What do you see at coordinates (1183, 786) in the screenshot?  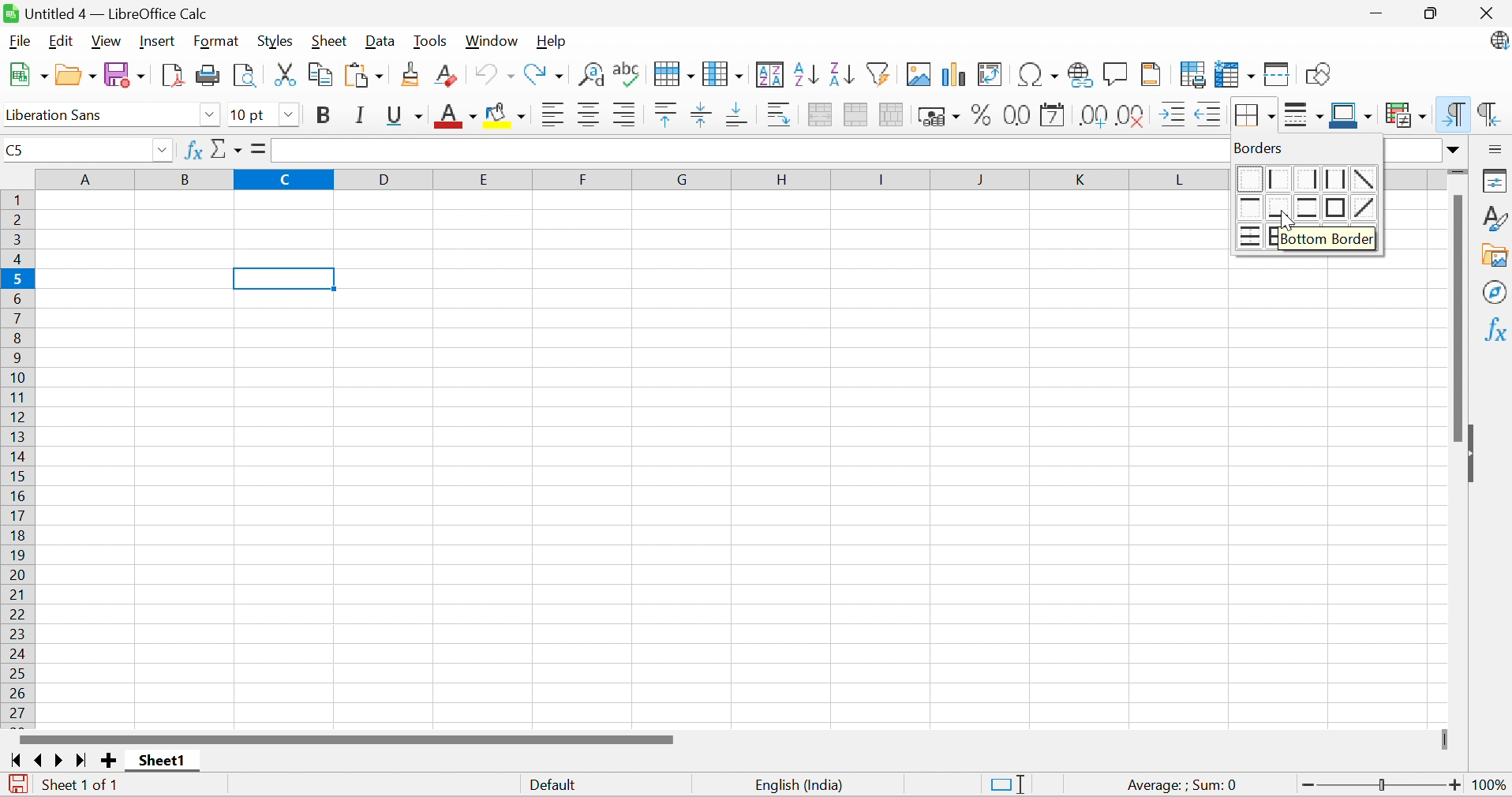 I see `verage ; Sum:0` at bounding box center [1183, 786].